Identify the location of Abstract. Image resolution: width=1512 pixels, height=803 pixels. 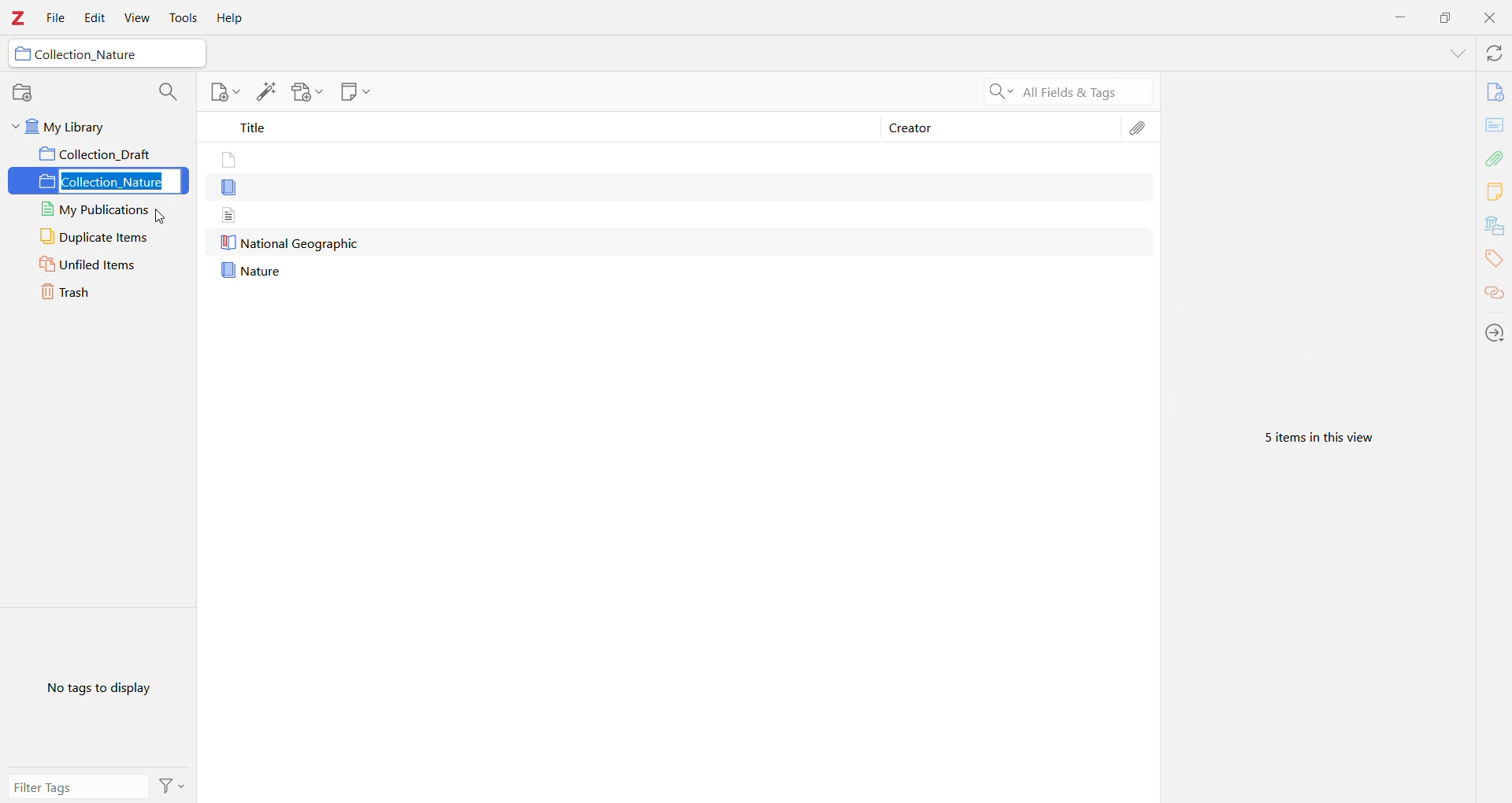
(1495, 124).